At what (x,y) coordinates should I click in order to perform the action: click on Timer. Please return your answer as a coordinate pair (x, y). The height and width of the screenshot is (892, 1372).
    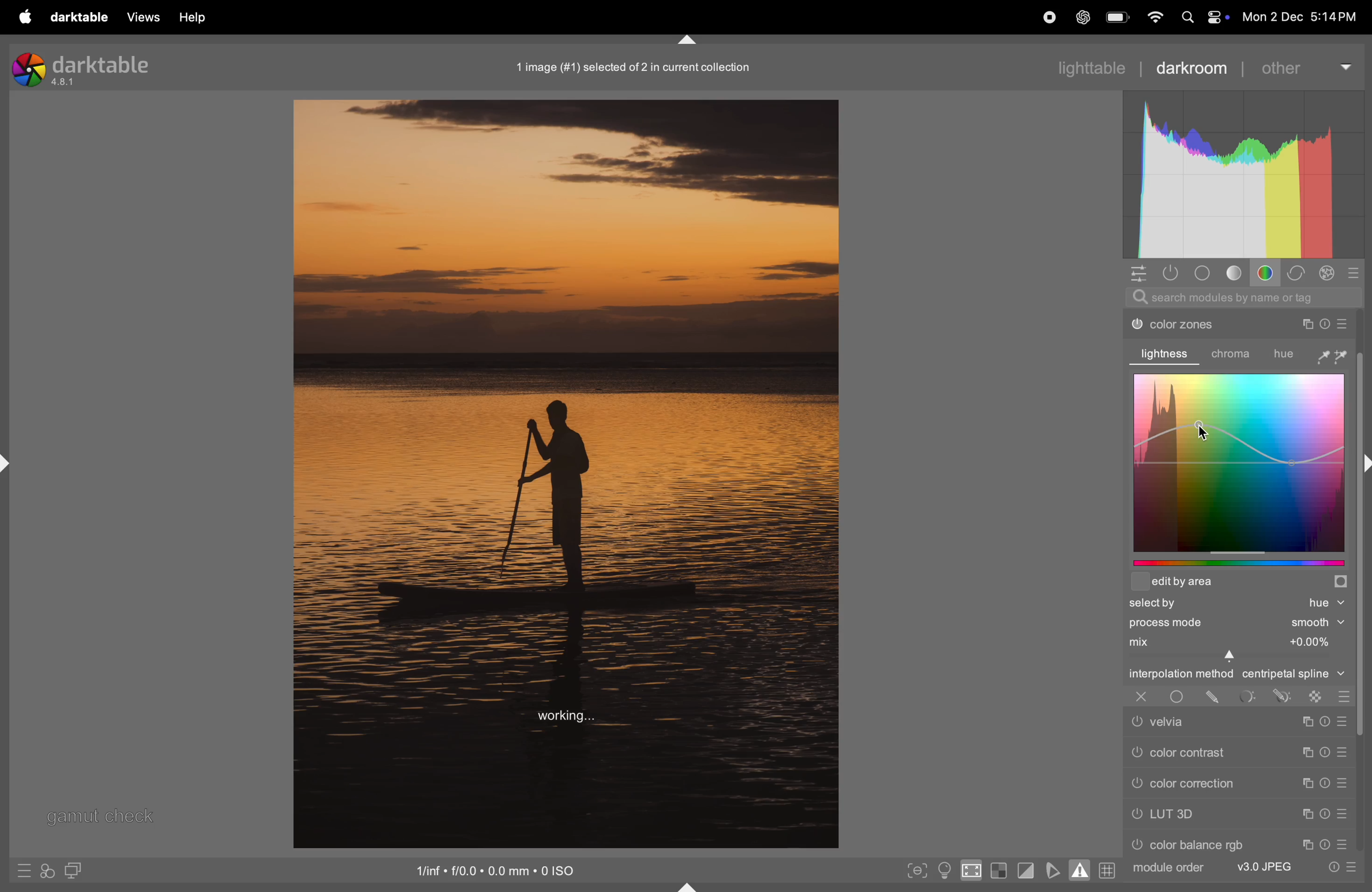
    Looking at the image, I should click on (1324, 782).